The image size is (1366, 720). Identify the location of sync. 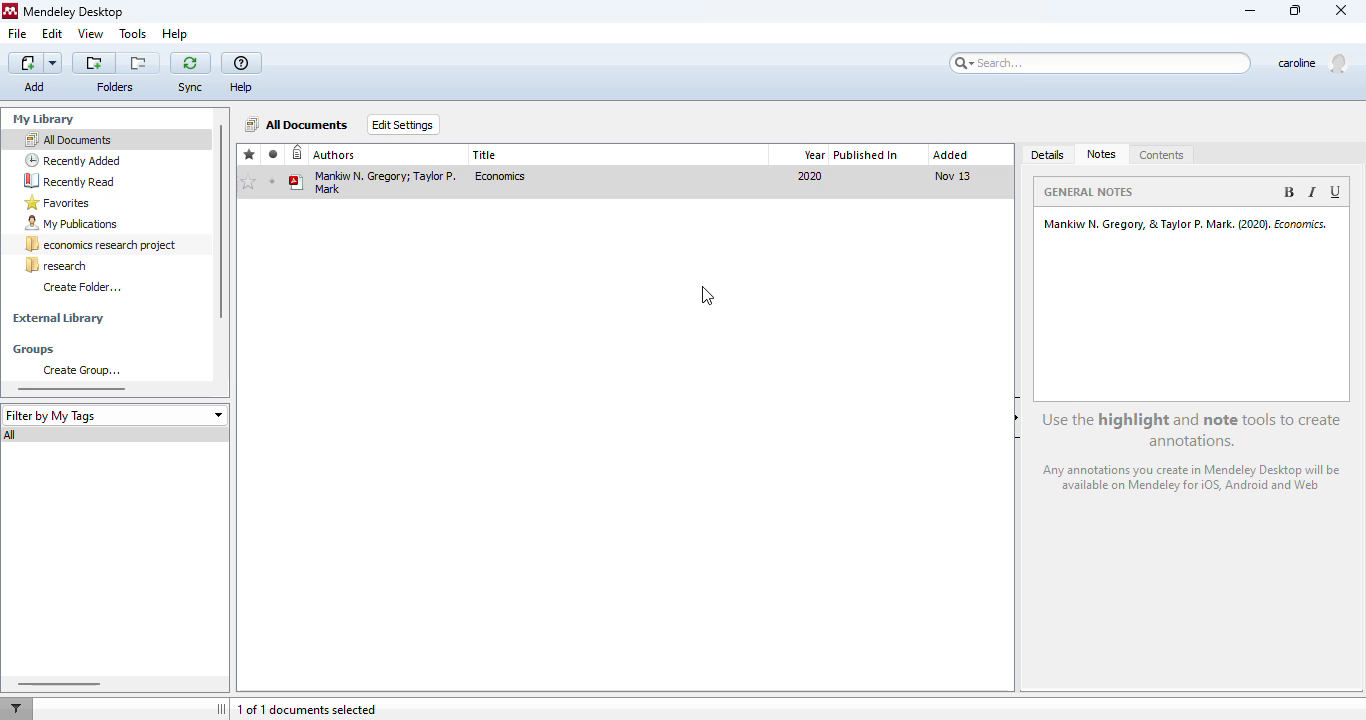
(190, 62).